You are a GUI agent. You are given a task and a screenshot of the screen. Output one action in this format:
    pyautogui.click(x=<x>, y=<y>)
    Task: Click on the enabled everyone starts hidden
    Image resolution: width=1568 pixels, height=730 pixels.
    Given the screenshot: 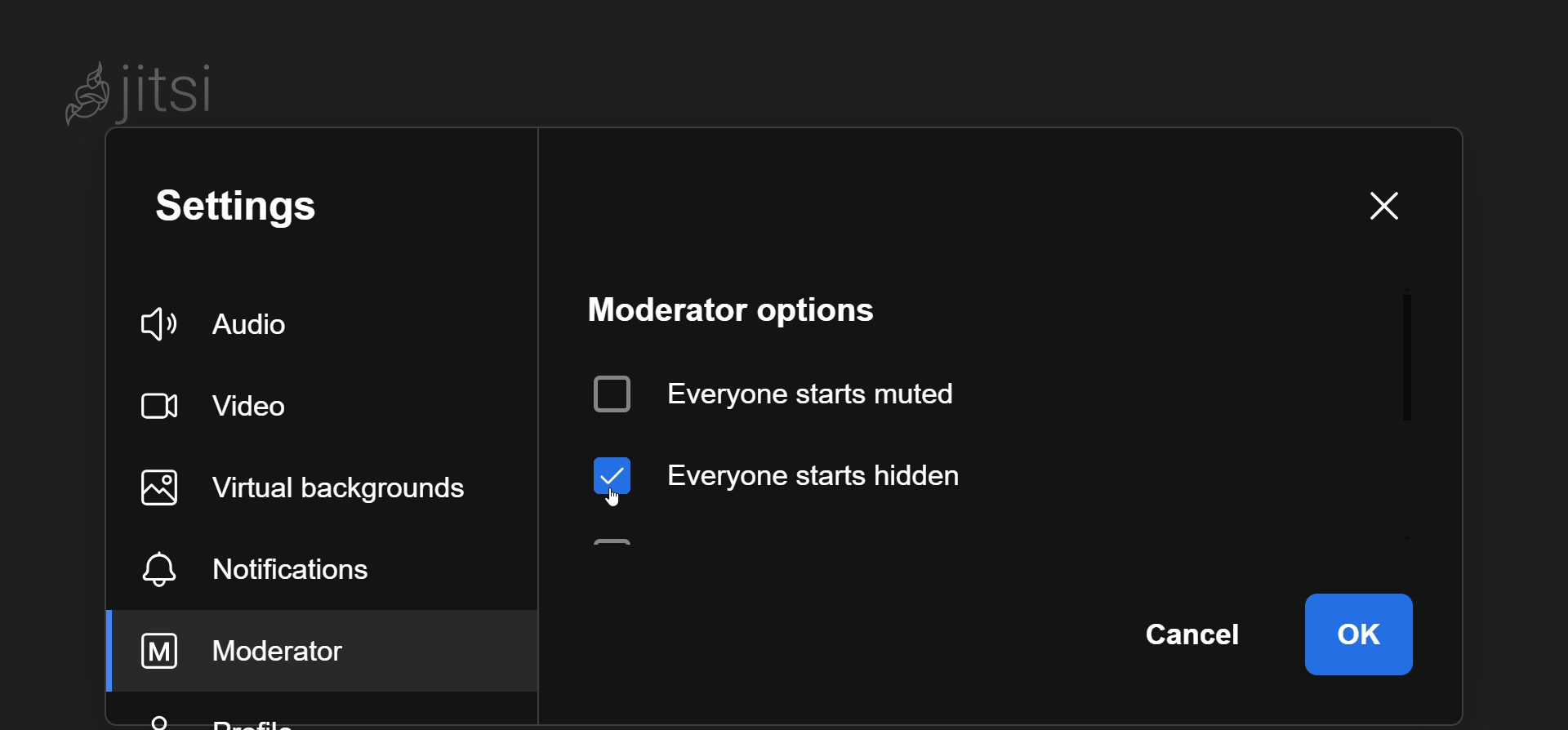 What is the action you would take?
    pyautogui.click(x=802, y=474)
    